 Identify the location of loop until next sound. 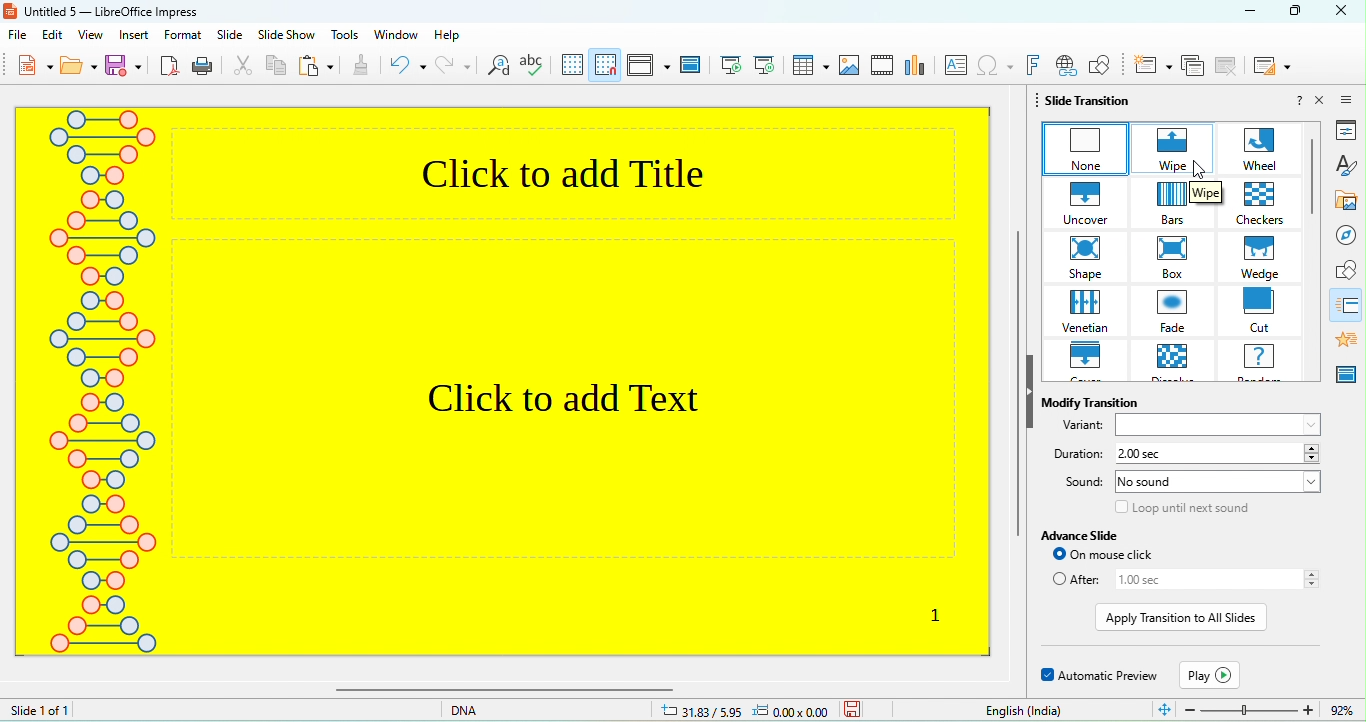
(1181, 508).